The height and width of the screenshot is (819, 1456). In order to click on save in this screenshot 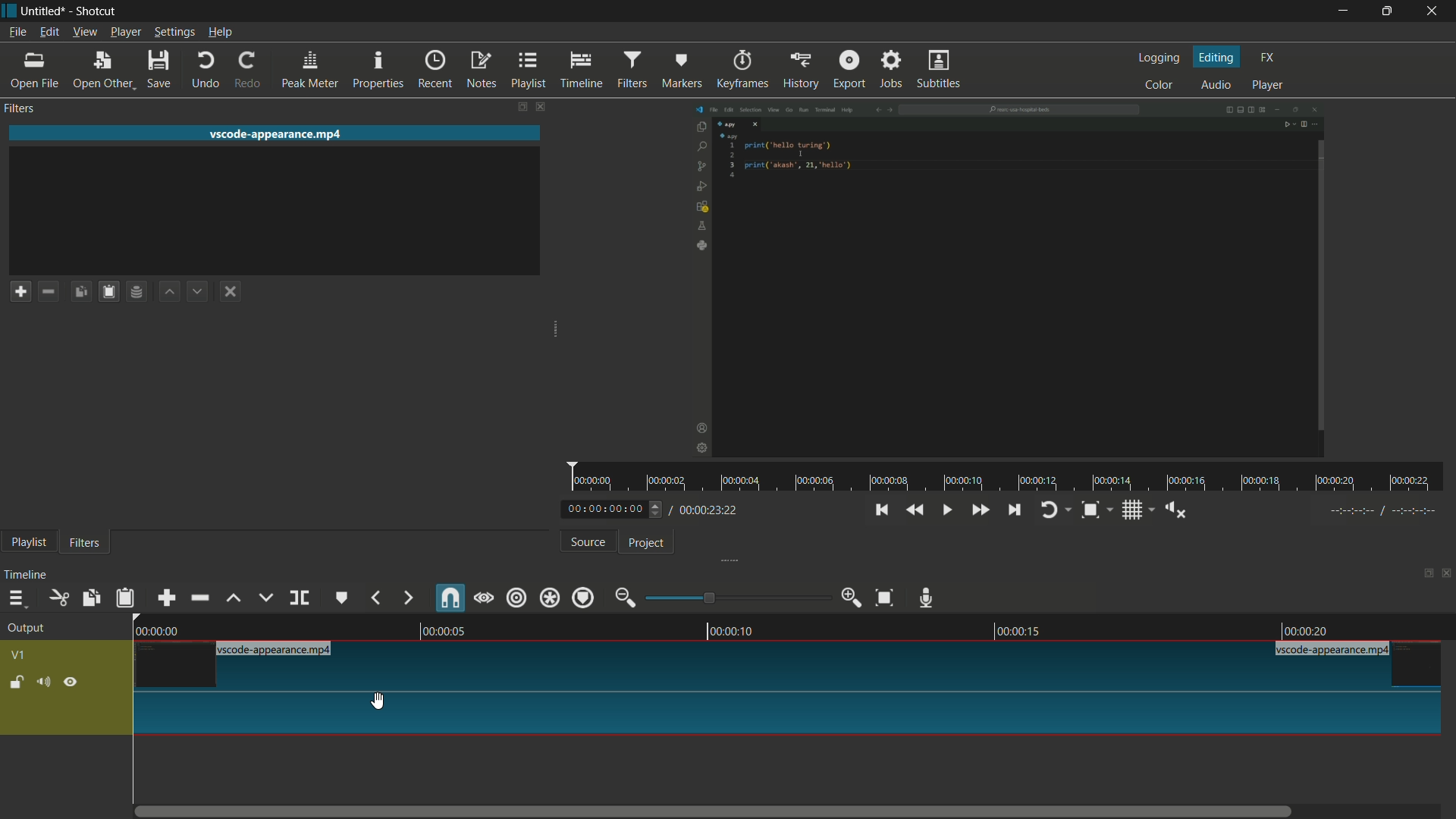, I will do `click(160, 69)`.